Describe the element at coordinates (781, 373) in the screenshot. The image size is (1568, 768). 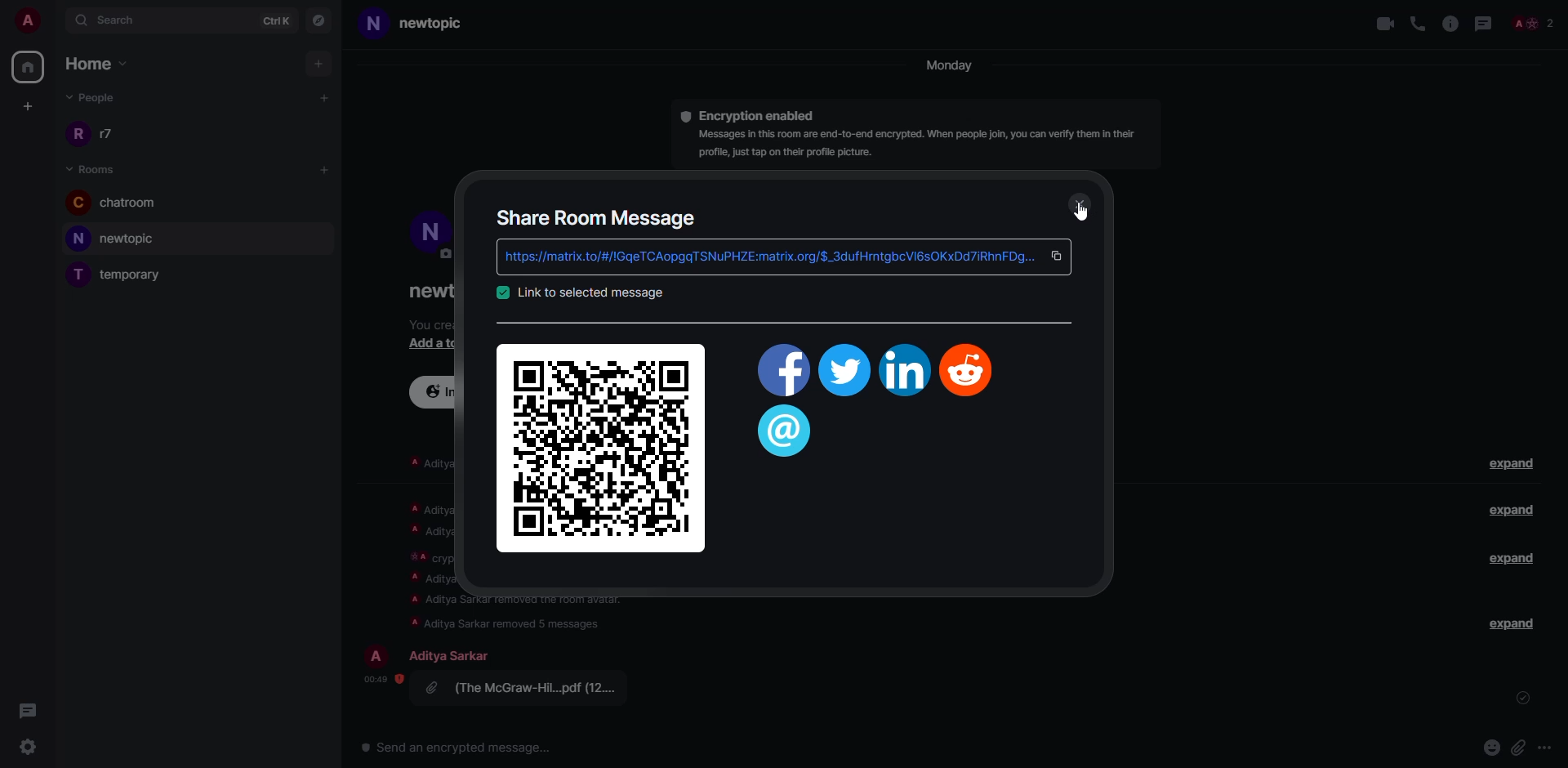
I see `fb` at that location.